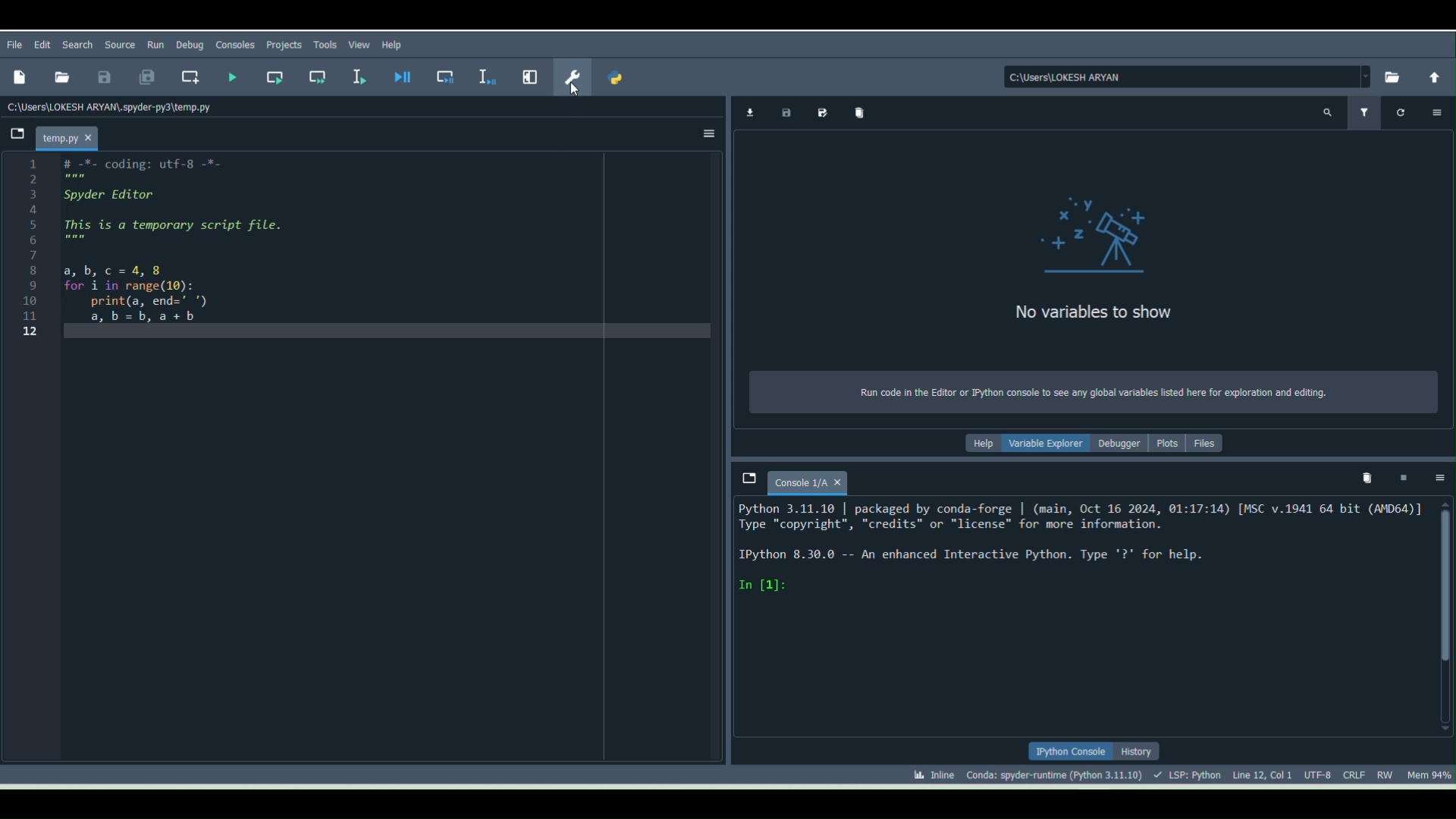  Describe the element at coordinates (15, 137) in the screenshot. I see `Browse tabs` at that location.